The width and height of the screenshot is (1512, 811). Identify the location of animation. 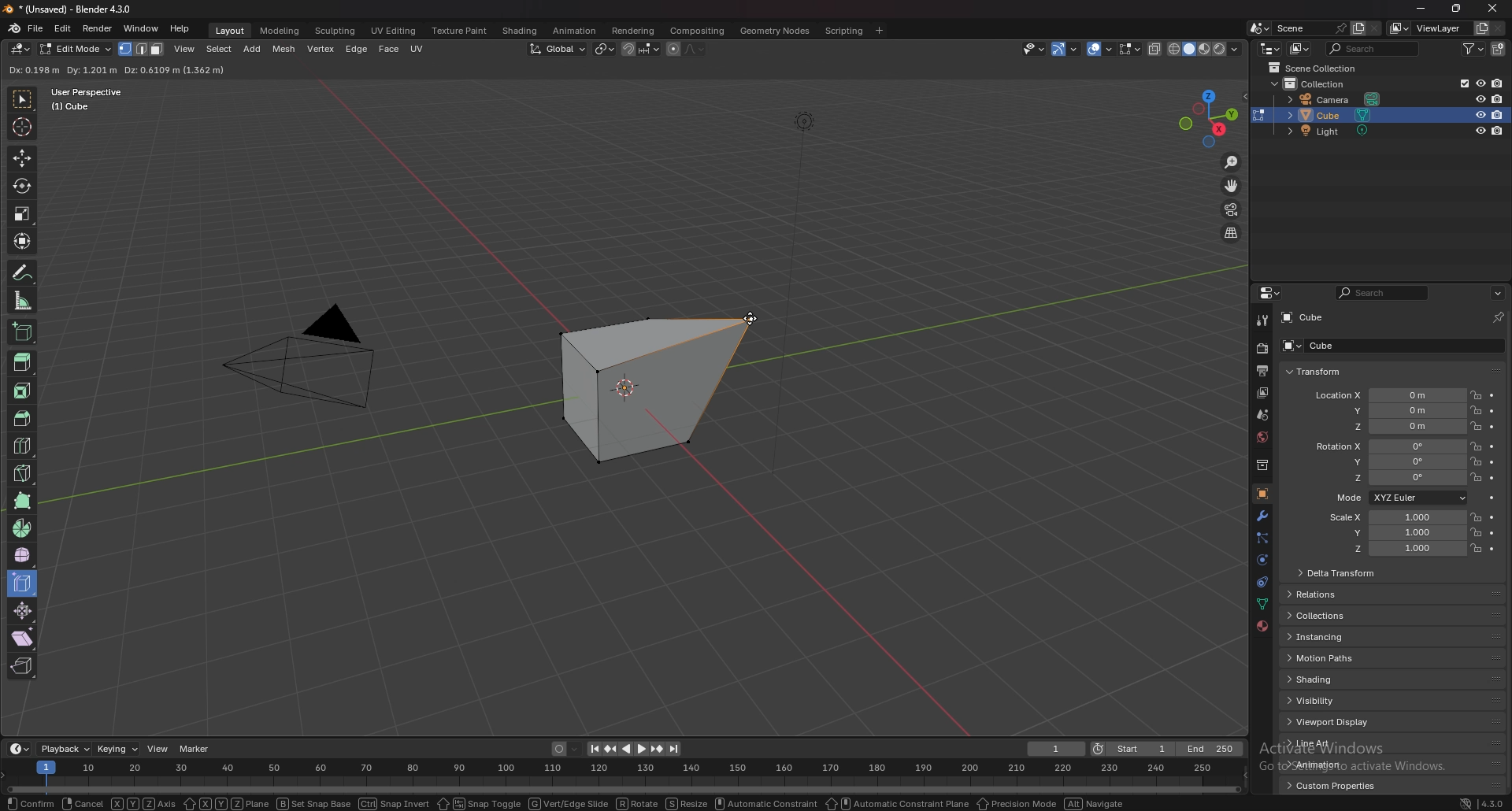
(1327, 764).